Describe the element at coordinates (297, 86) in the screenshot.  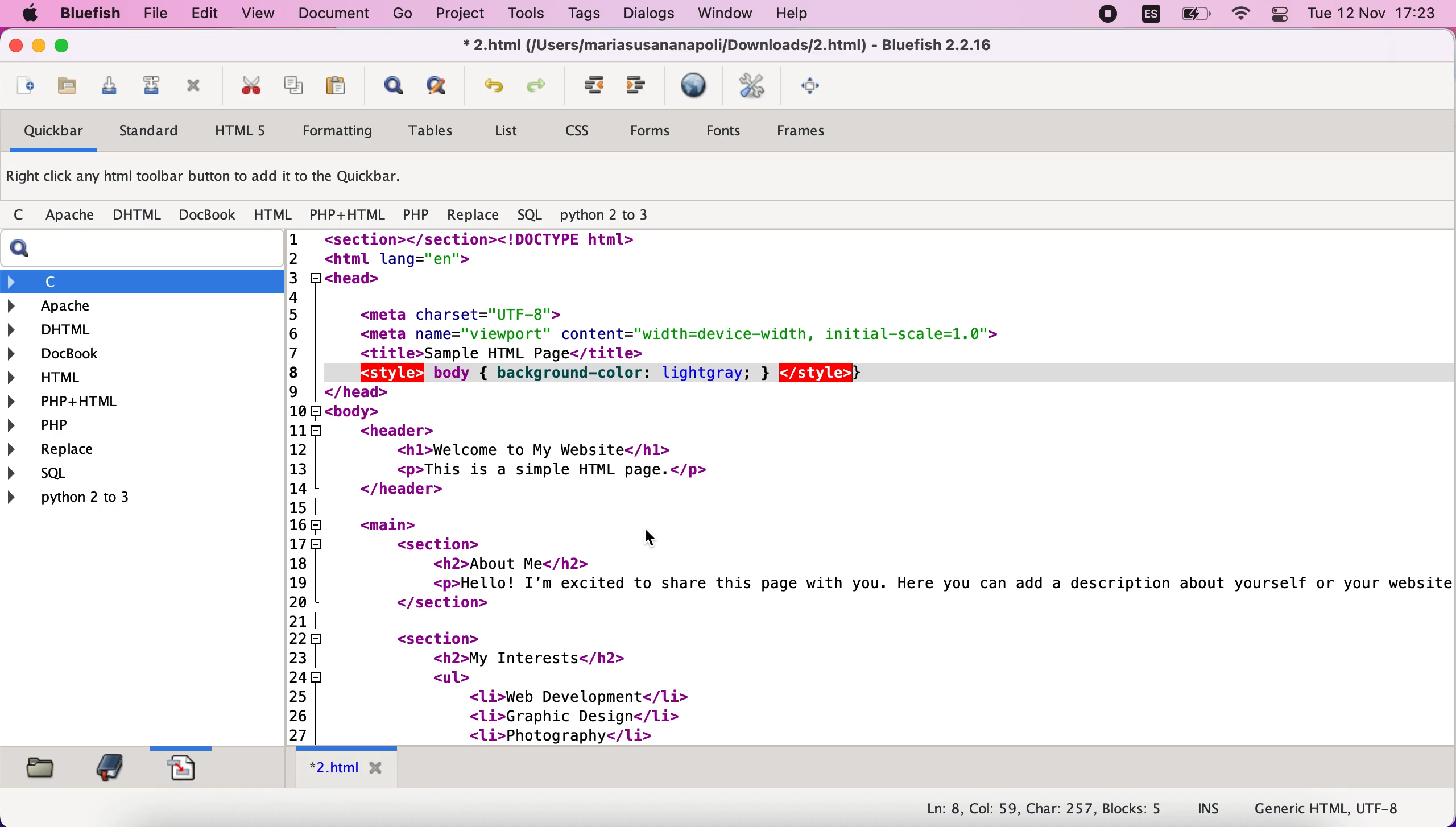
I see `copy` at that location.